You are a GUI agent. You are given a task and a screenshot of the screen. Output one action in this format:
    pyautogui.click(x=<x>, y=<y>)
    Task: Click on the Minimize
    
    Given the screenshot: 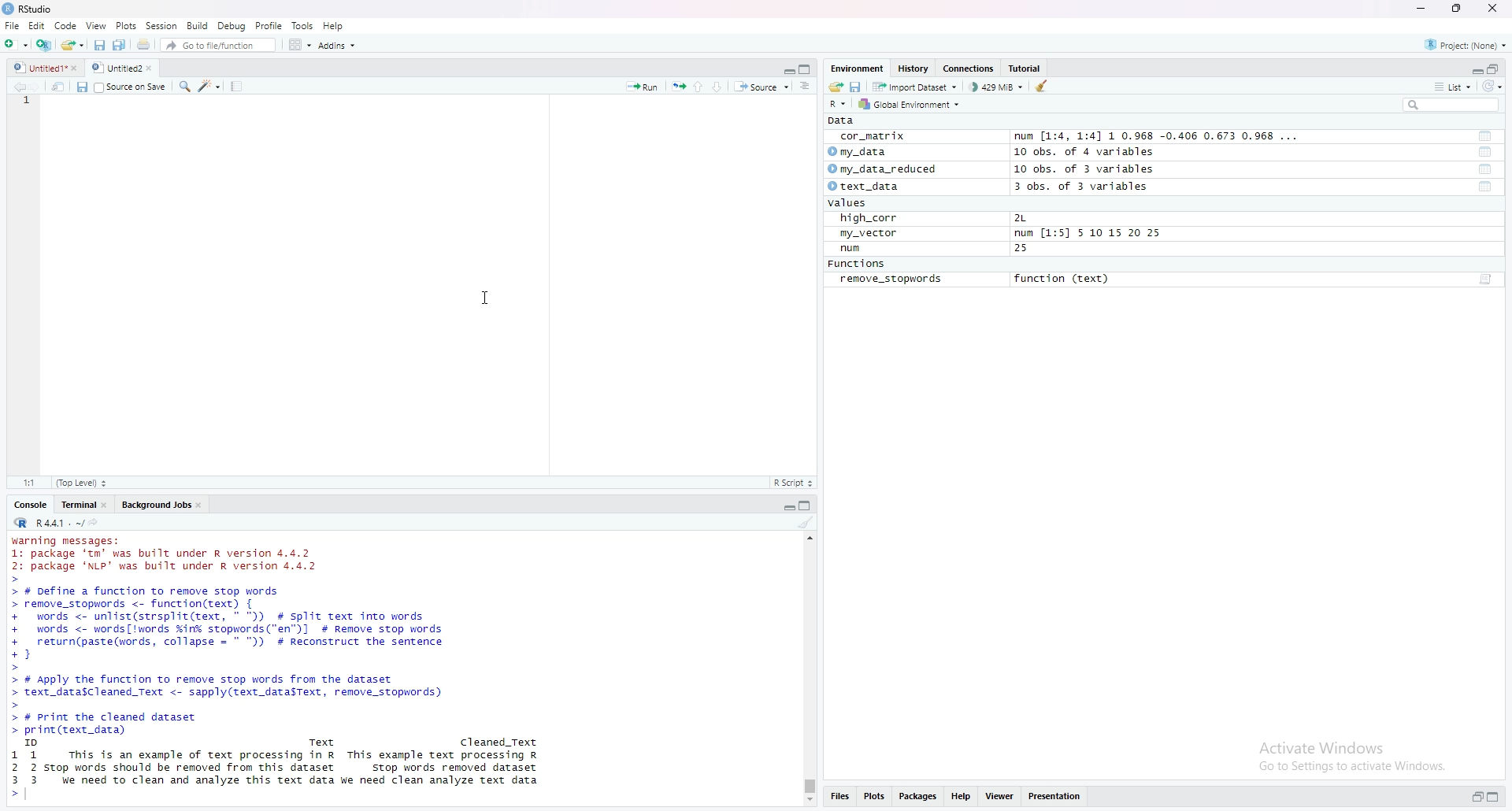 What is the action you would take?
    pyautogui.click(x=1470, y=69)
    